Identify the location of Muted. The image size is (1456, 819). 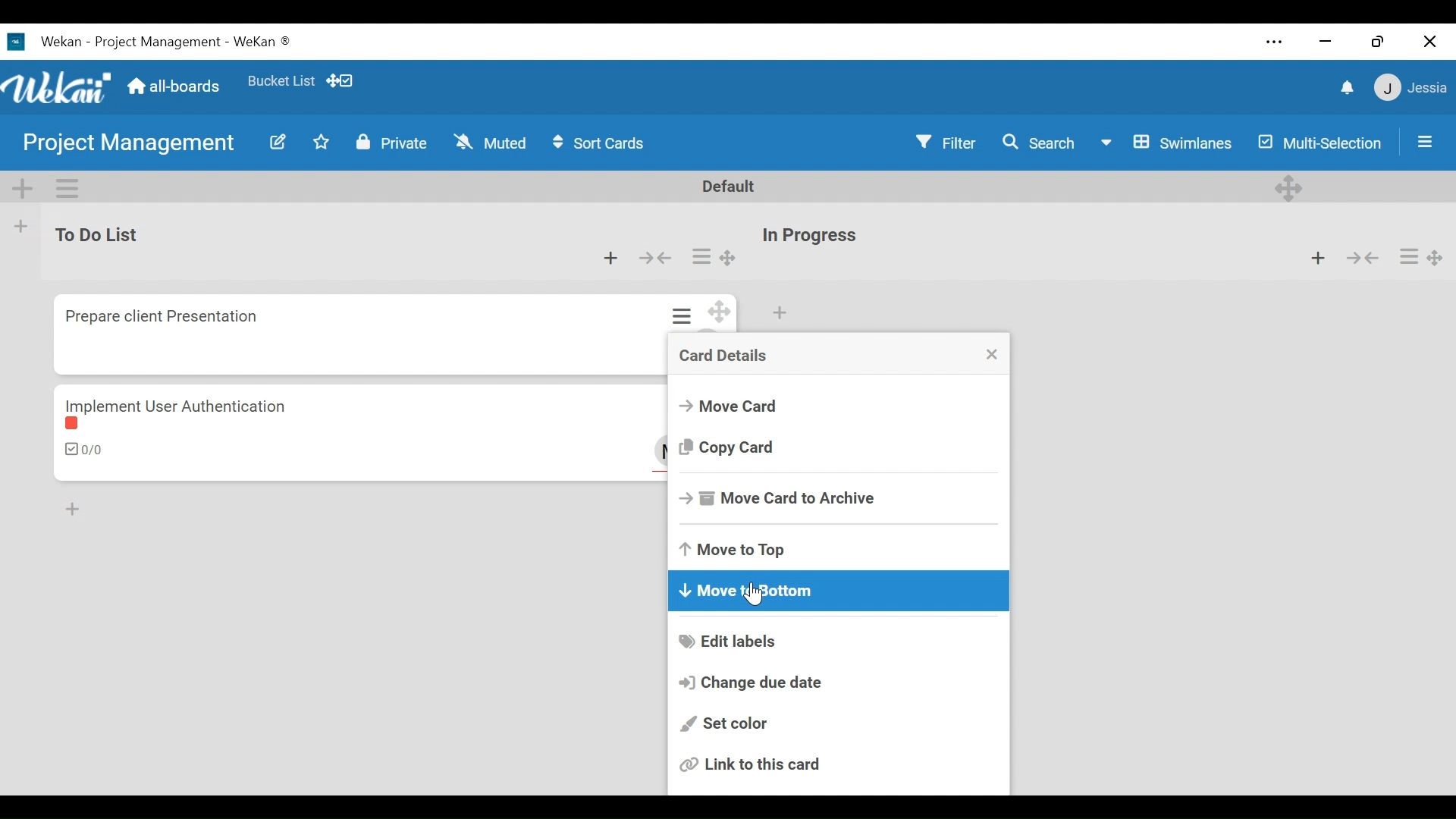
(488, 142).